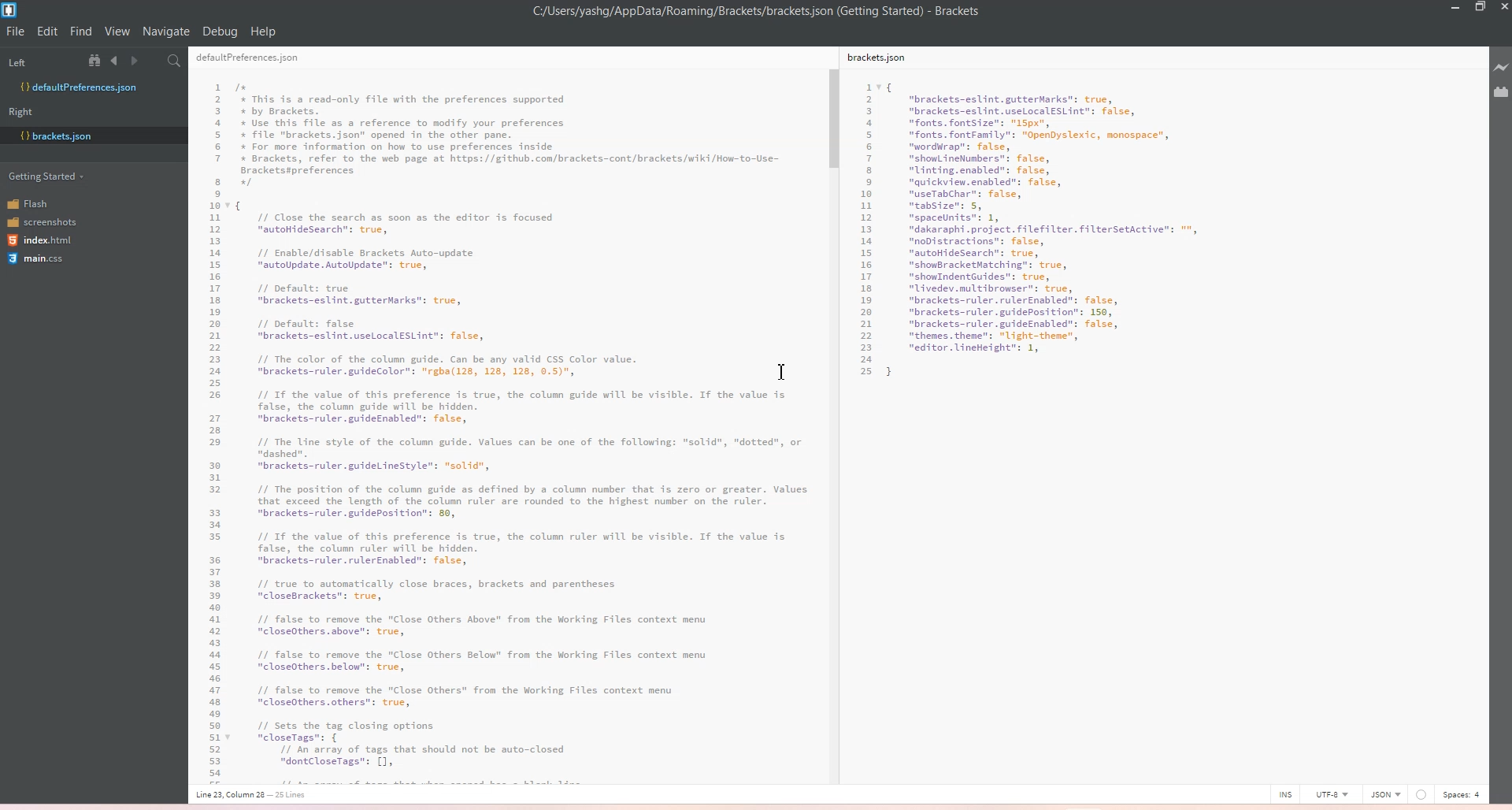 This screenshot has width=1512, height=810. Describe the element at coordinates (1499, 68) in the screenshot. I see `Live Preview` at that location.